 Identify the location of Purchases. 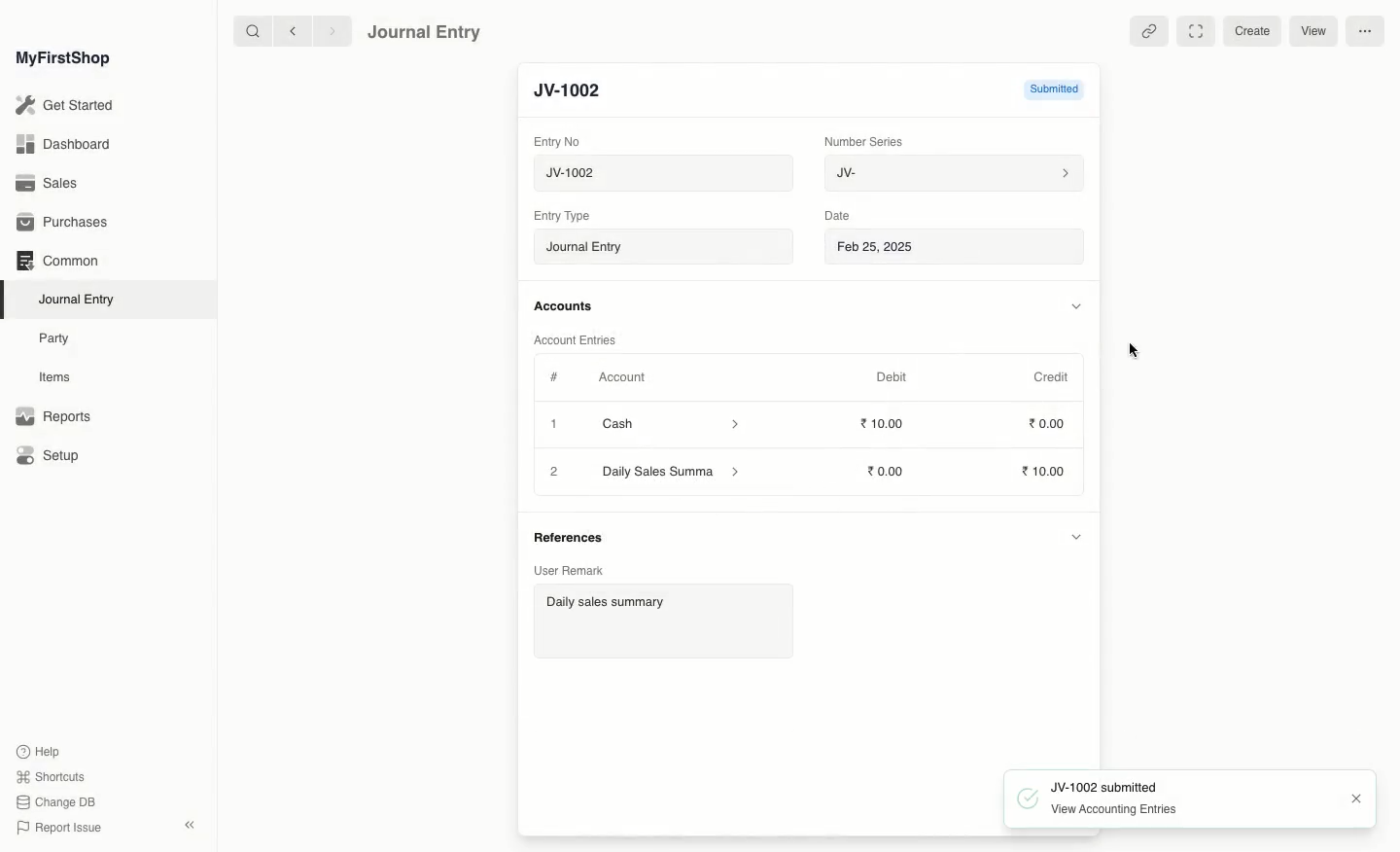
(67, 223).